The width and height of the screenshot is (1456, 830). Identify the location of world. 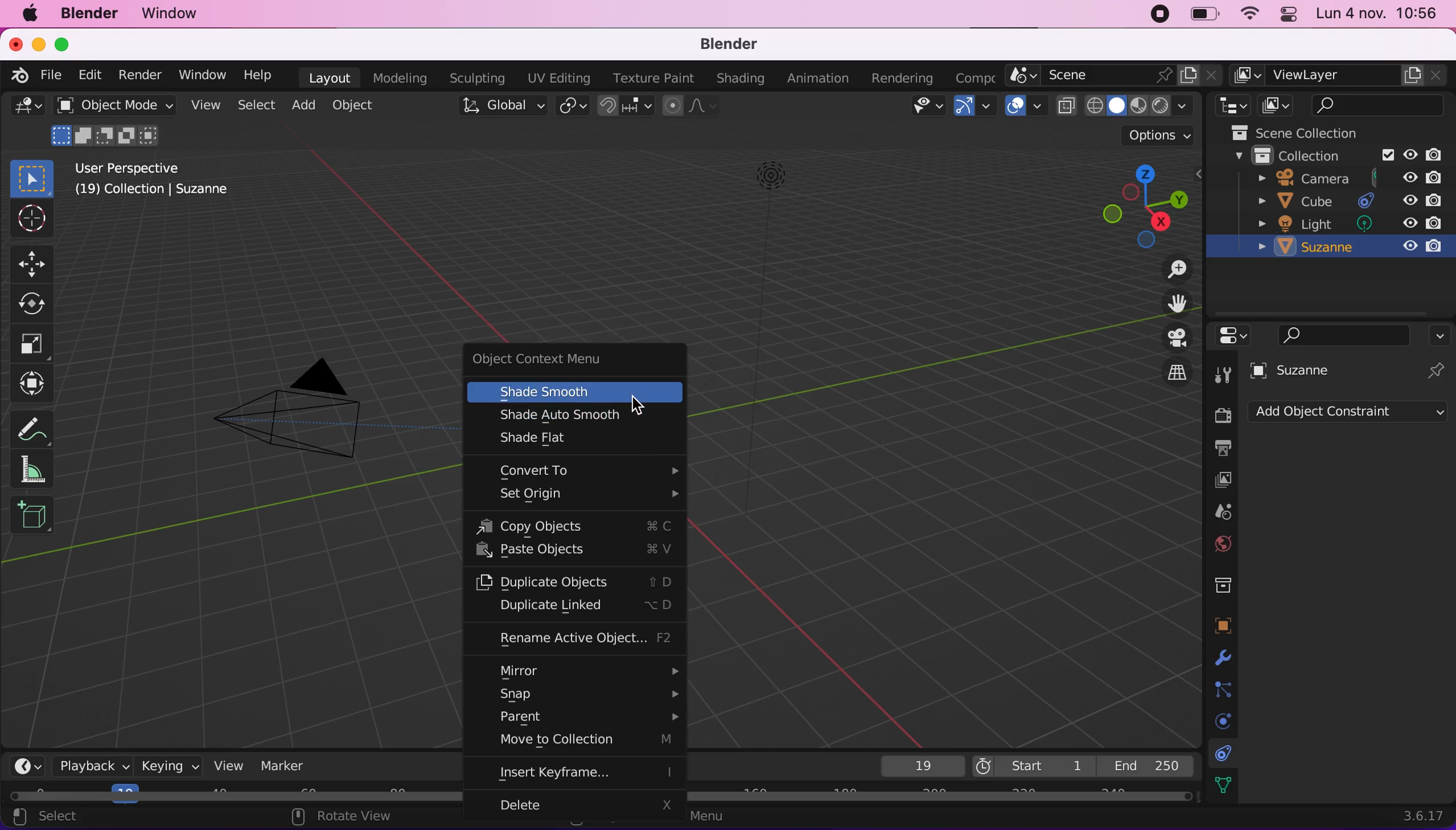
(1223, 543).